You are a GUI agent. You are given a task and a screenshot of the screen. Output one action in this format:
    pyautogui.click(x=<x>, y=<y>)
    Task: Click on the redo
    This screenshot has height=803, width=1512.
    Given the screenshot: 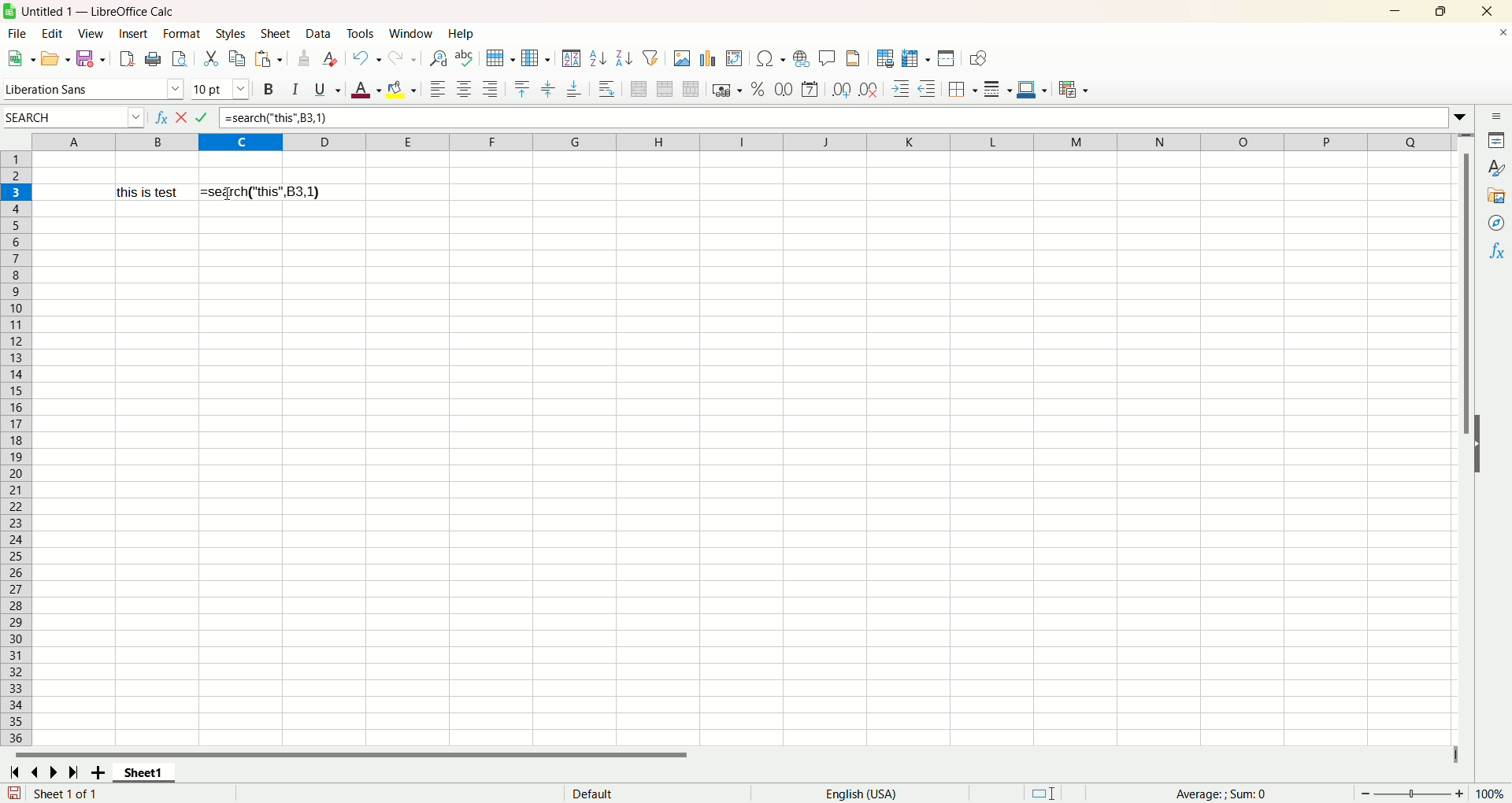 What is the action you would take?
    pyautogui.click(x=406, y=56)
    